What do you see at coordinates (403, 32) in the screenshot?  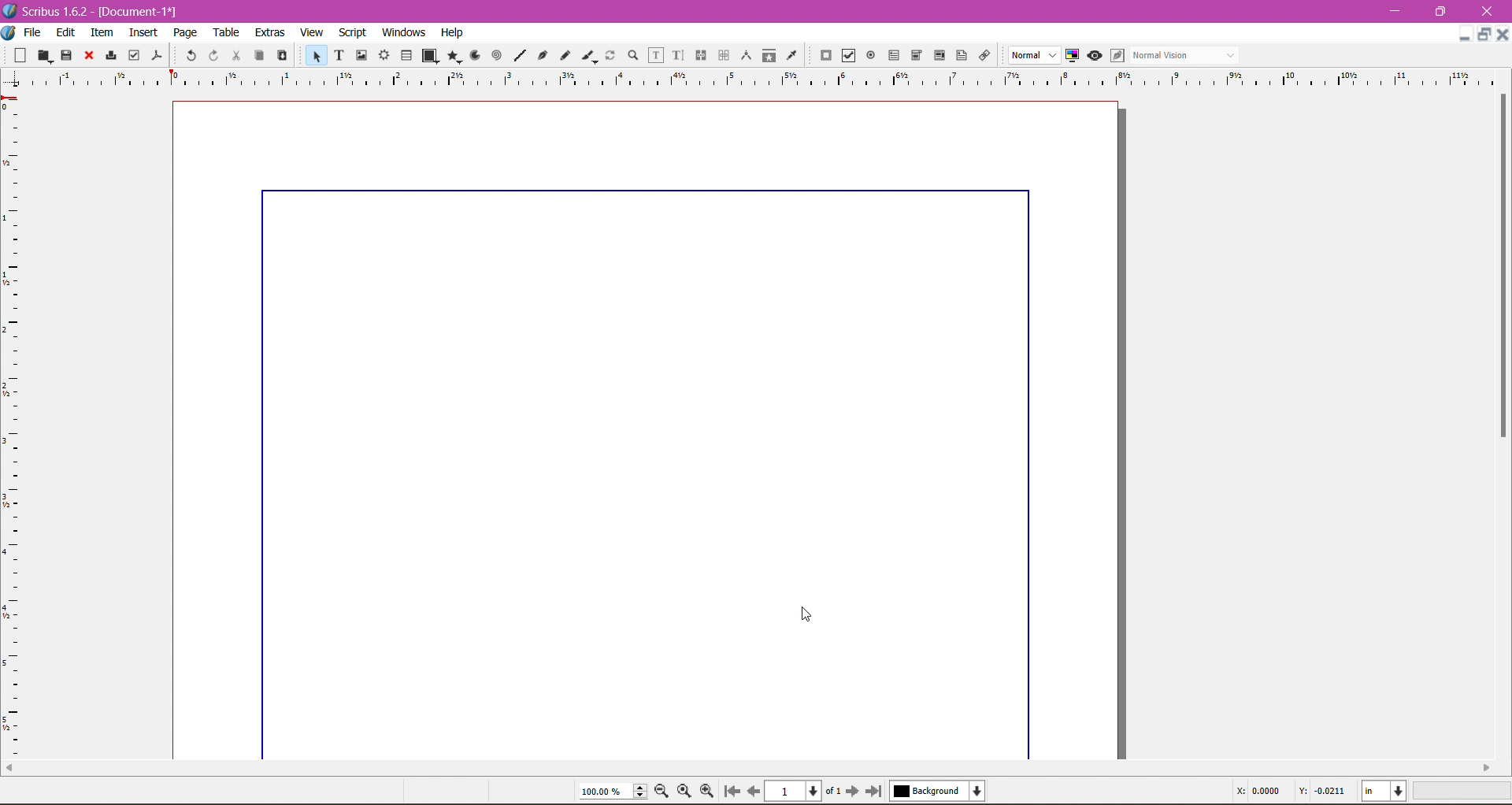 I see `Windows` at bounding box center [403, 32].